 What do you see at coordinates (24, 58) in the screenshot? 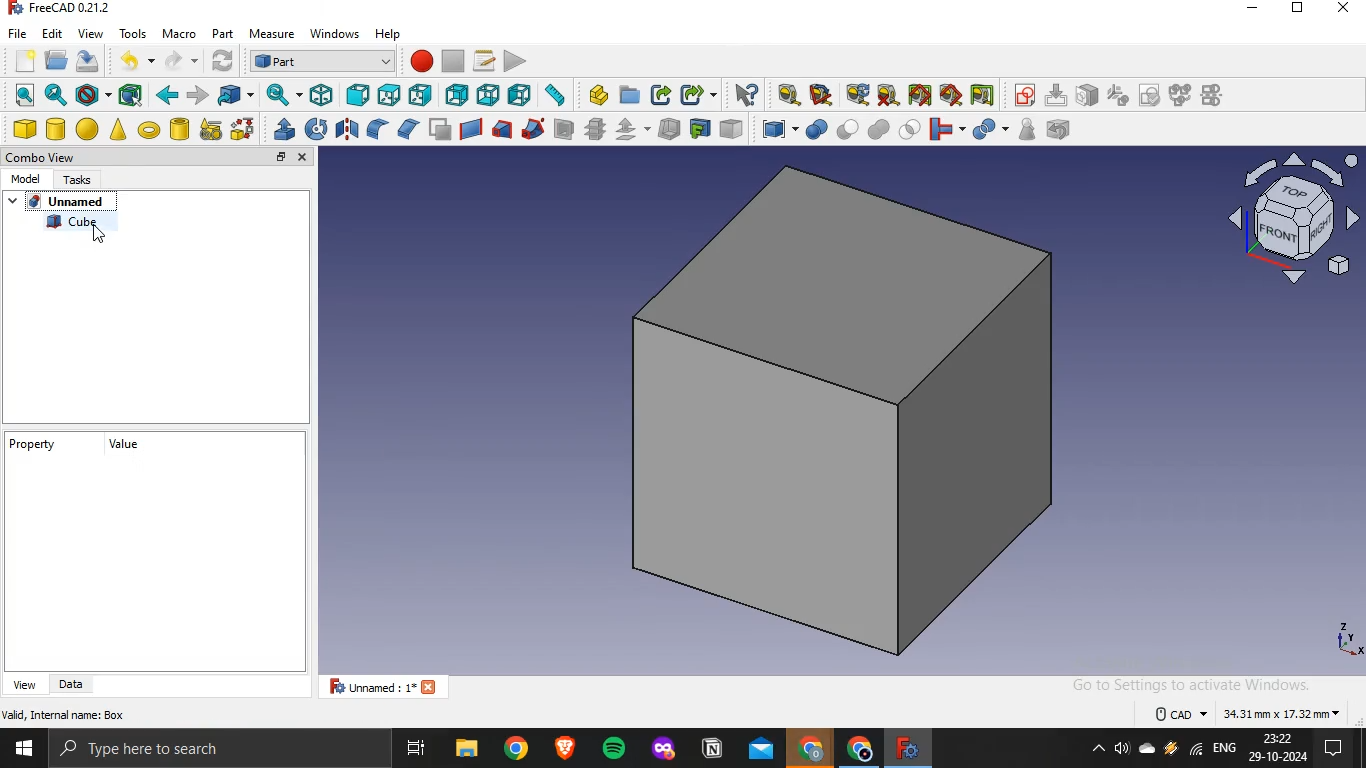
I see `new file` at bounding box center [24, 58].